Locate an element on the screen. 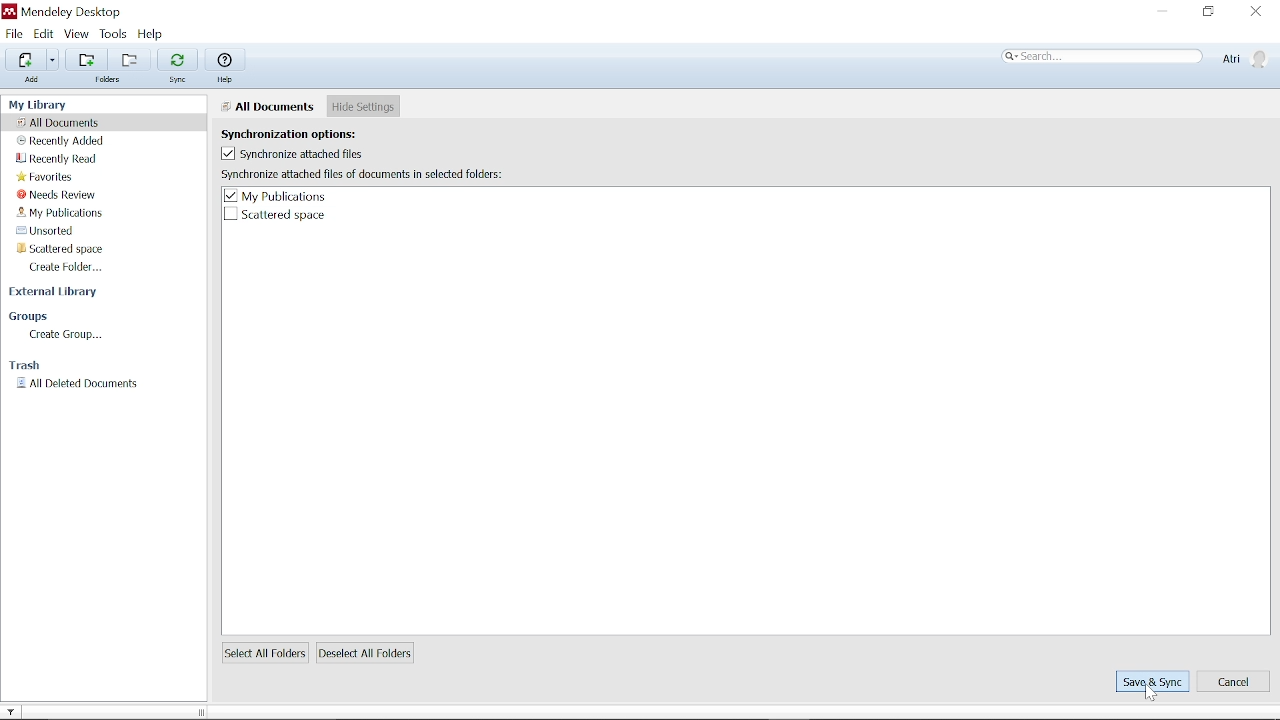  Add folders is located at coordinates (83, 60).